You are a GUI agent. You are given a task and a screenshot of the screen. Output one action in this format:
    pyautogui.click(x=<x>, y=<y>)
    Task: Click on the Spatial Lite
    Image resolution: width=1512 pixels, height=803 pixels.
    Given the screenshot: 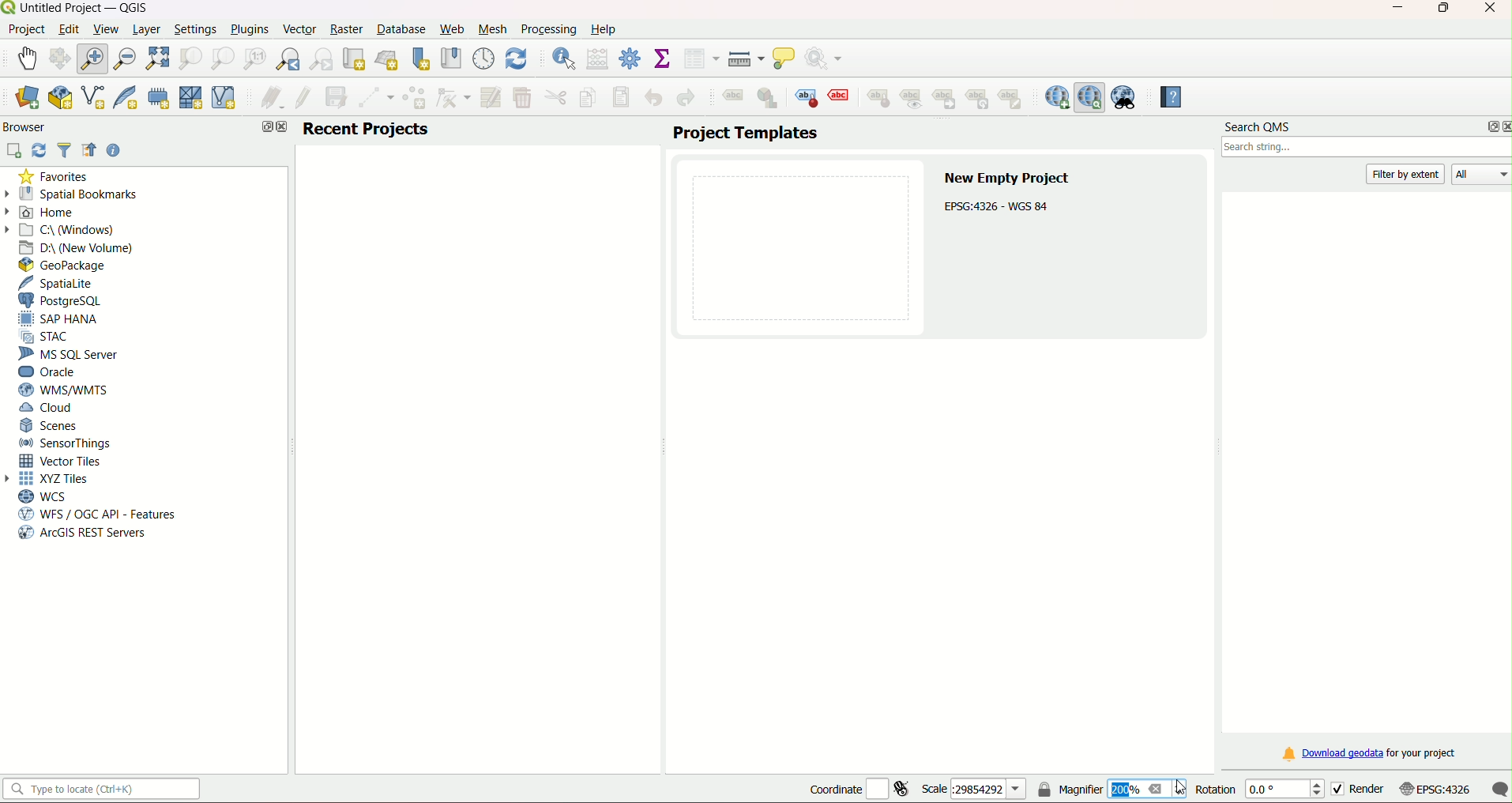 What is the action you would take?
    pyautogui.click(x=64, y=283)
    